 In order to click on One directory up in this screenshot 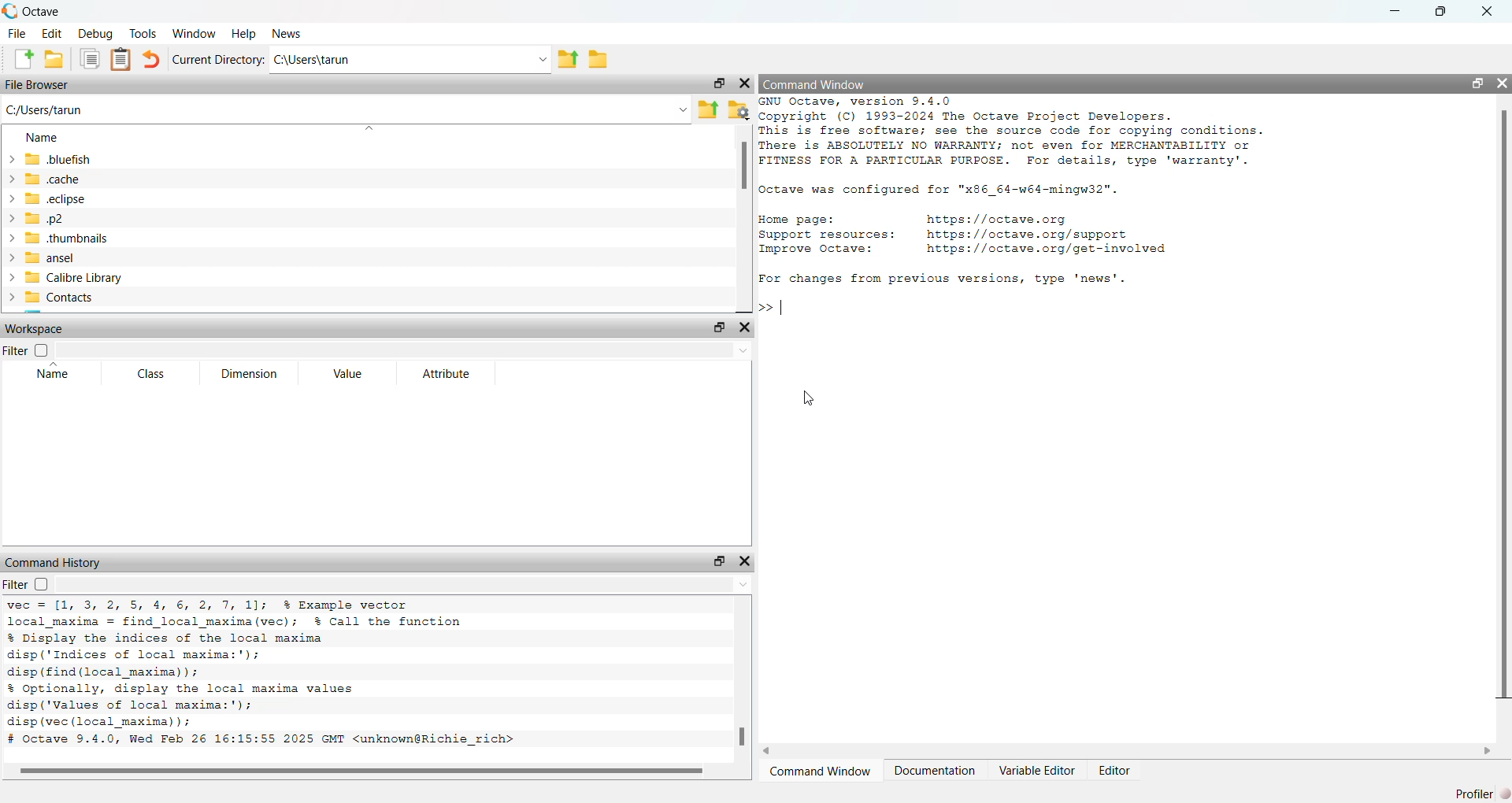, I will do `click(569, 58)`.